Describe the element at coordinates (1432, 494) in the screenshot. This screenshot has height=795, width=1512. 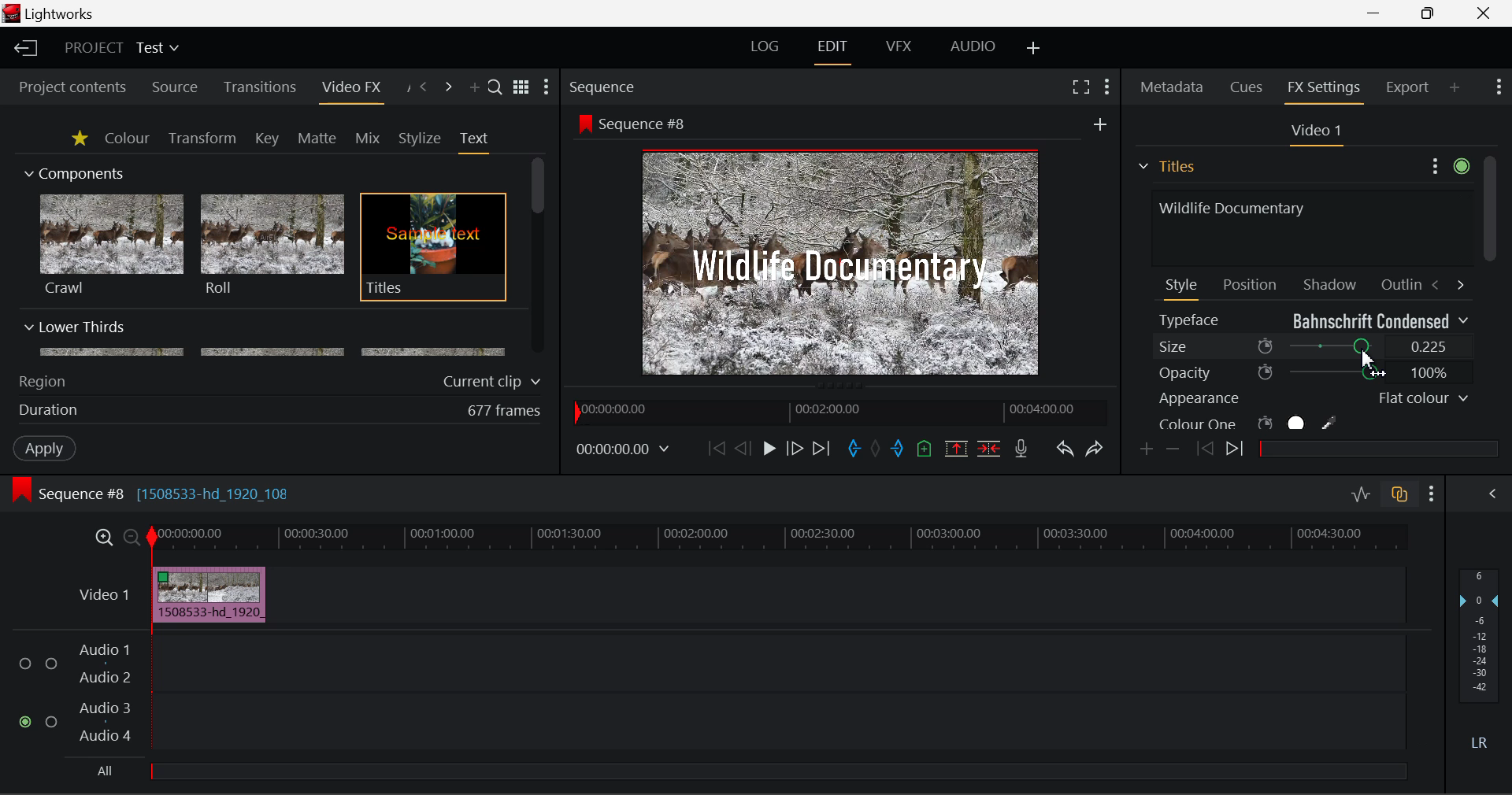
I see `Show Settings` at that location.